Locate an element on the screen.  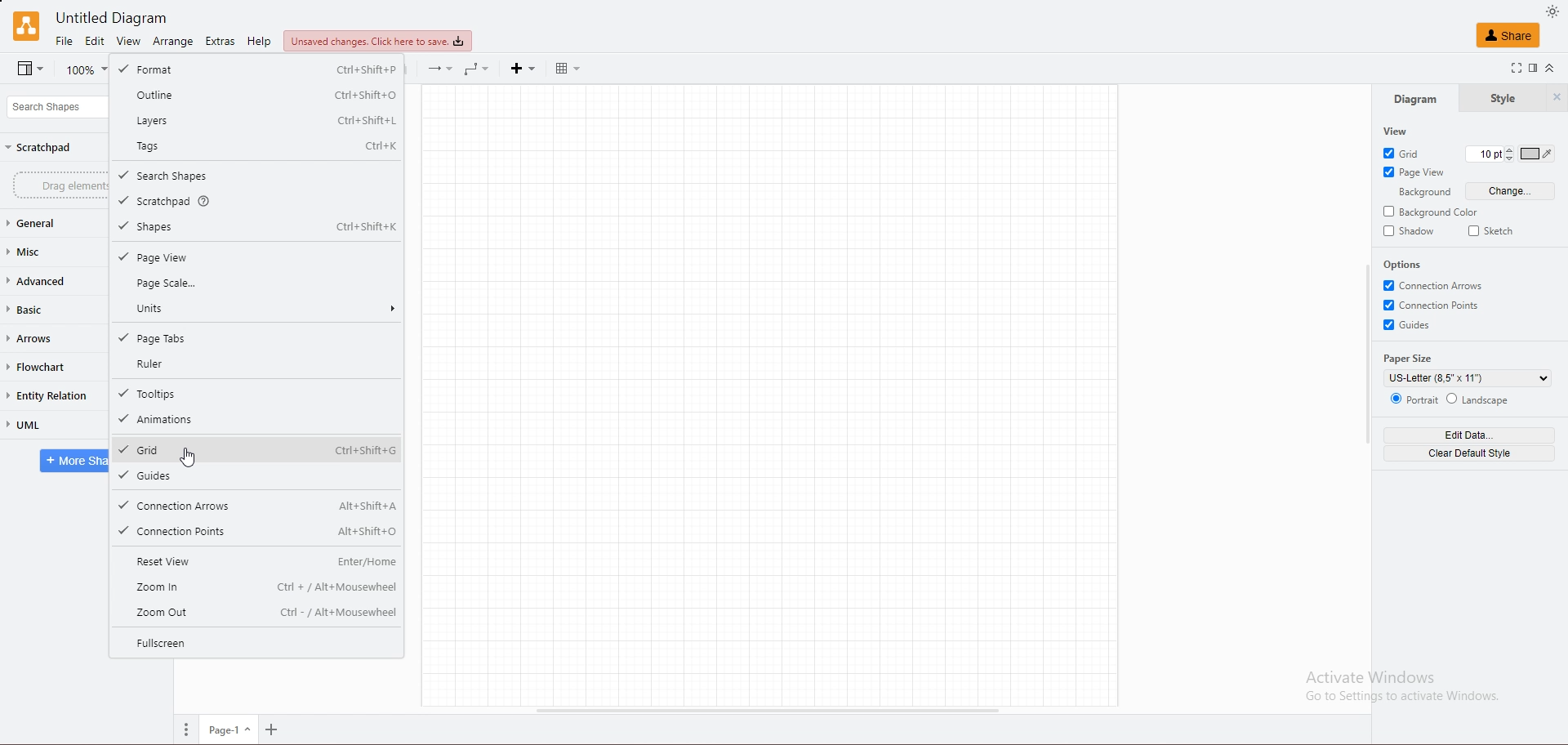
page view is located at coordinates (257, 257).